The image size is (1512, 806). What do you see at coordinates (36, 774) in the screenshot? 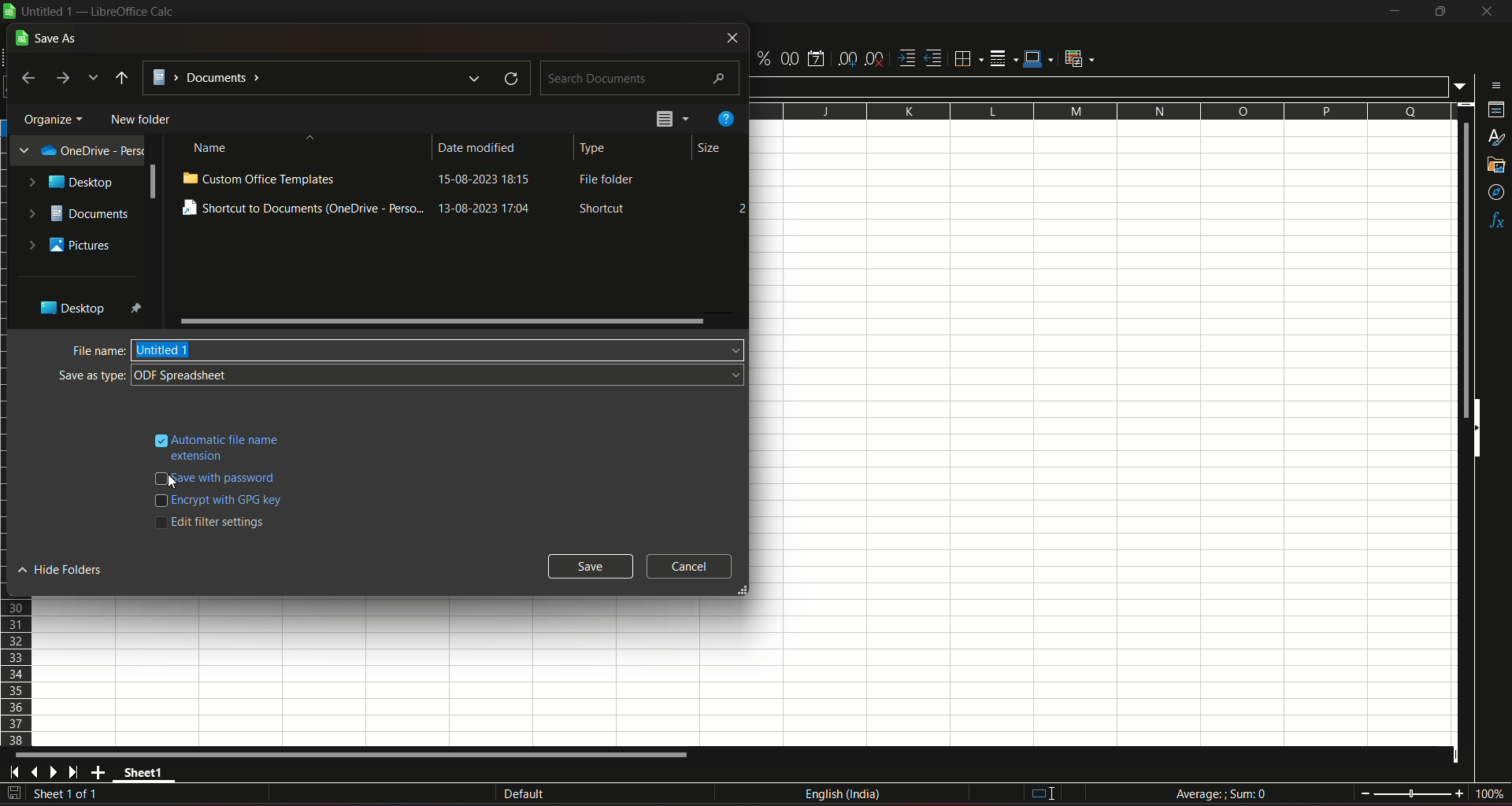
I see `previous sheet` at bounding box center [36, 774].